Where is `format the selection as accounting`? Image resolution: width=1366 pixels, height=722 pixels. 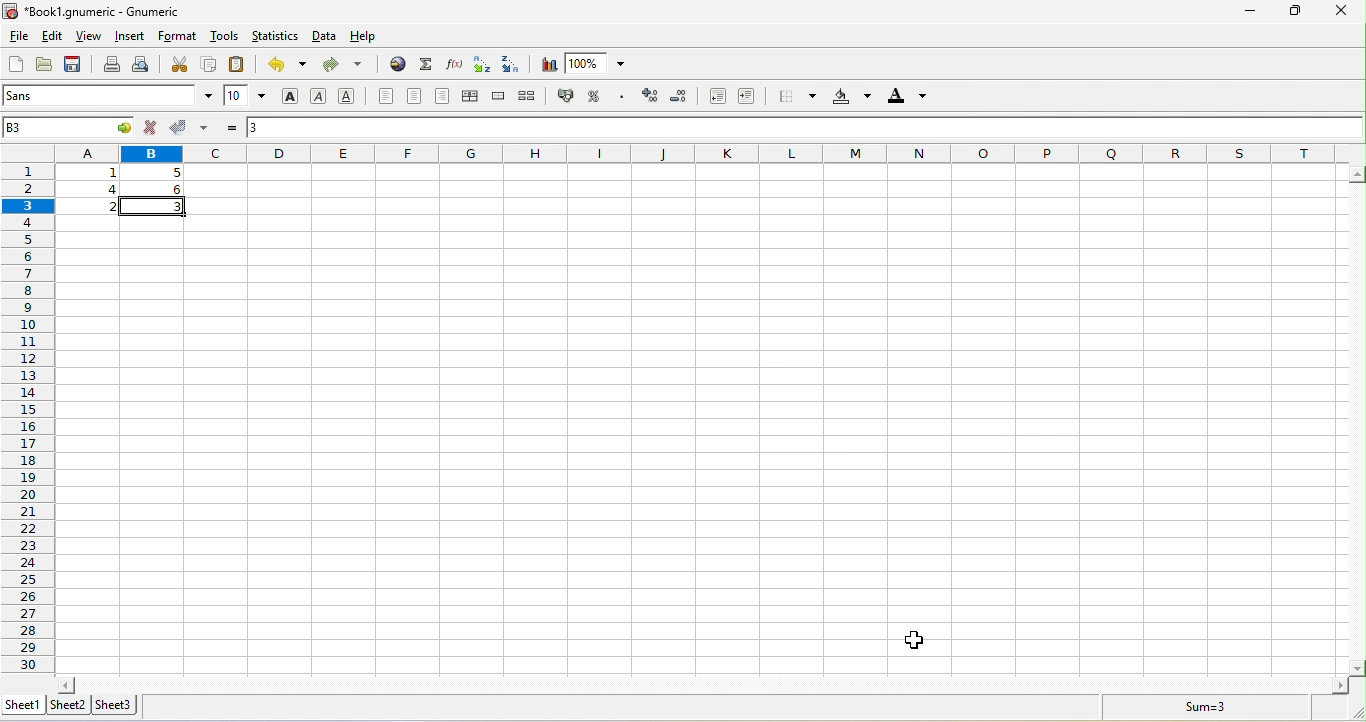 format the selection as accounting is located at coordinates (569, 96).